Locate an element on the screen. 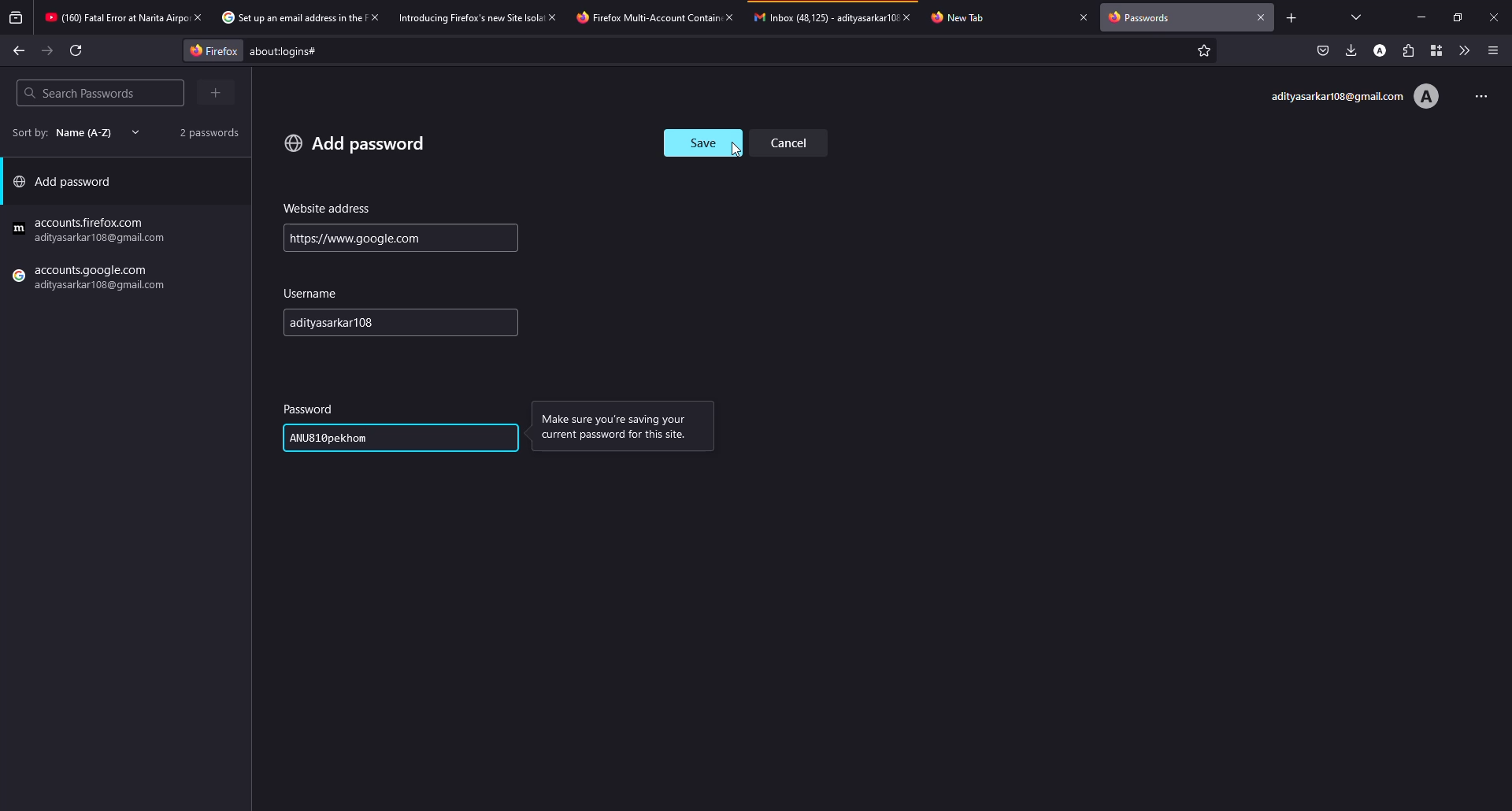  www.google.com is located at coordinates (354, 238).